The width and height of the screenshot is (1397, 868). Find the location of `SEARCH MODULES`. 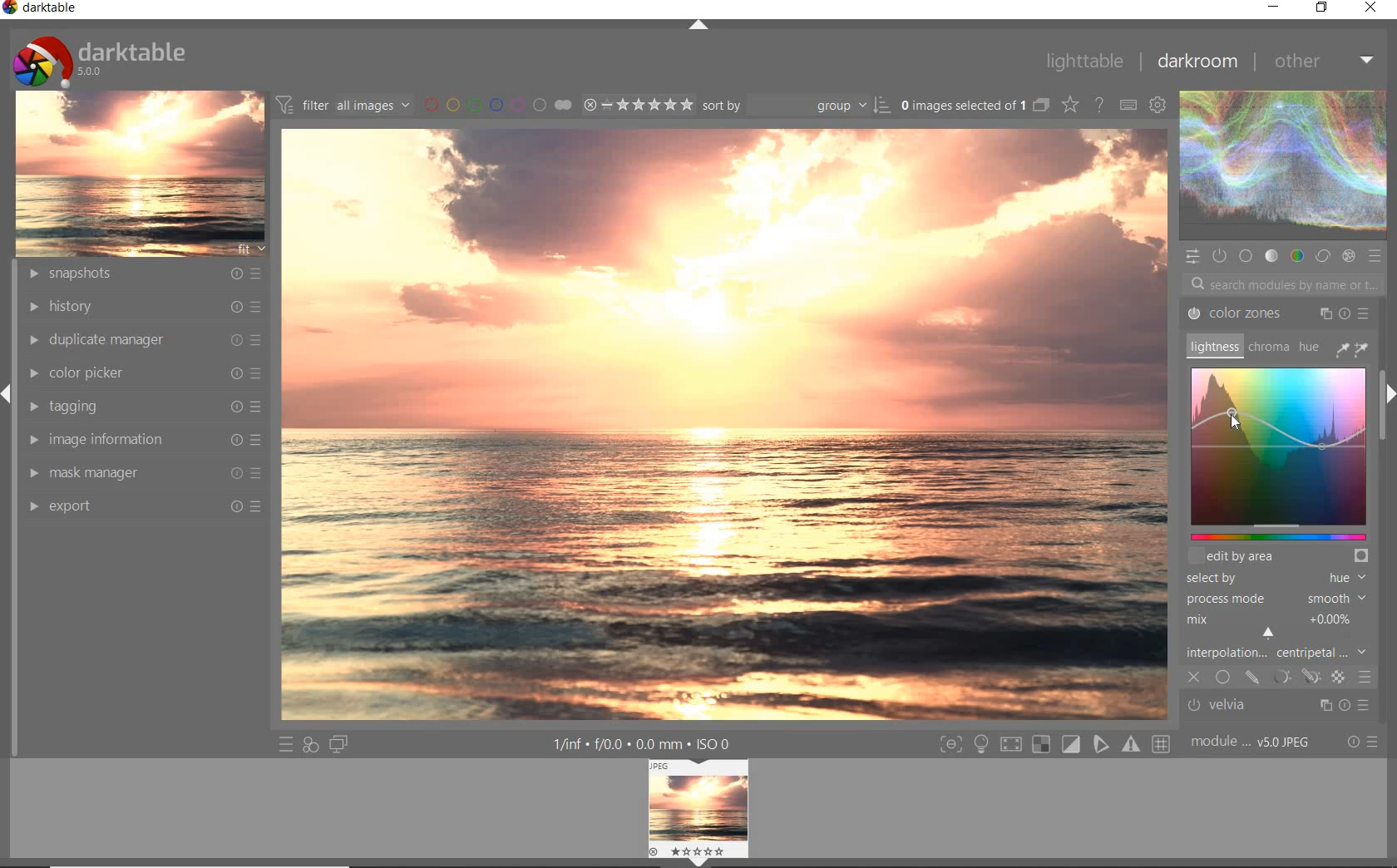

SEARCH MODULES is located at coordinates (1284, 284).